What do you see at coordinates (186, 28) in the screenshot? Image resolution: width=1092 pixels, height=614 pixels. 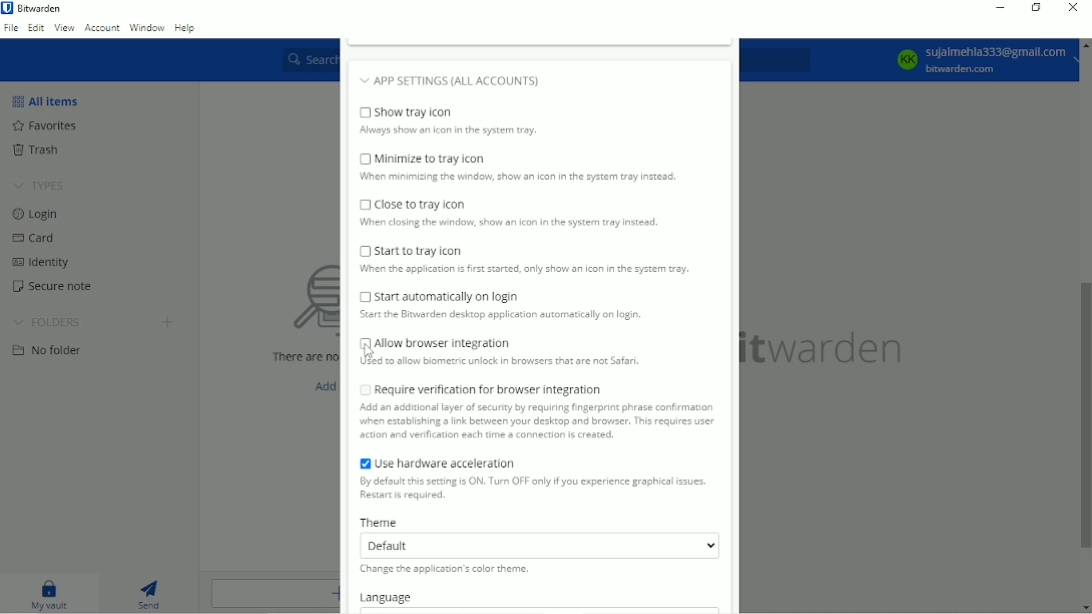 I see `Help` at bounding box center [186, 28].